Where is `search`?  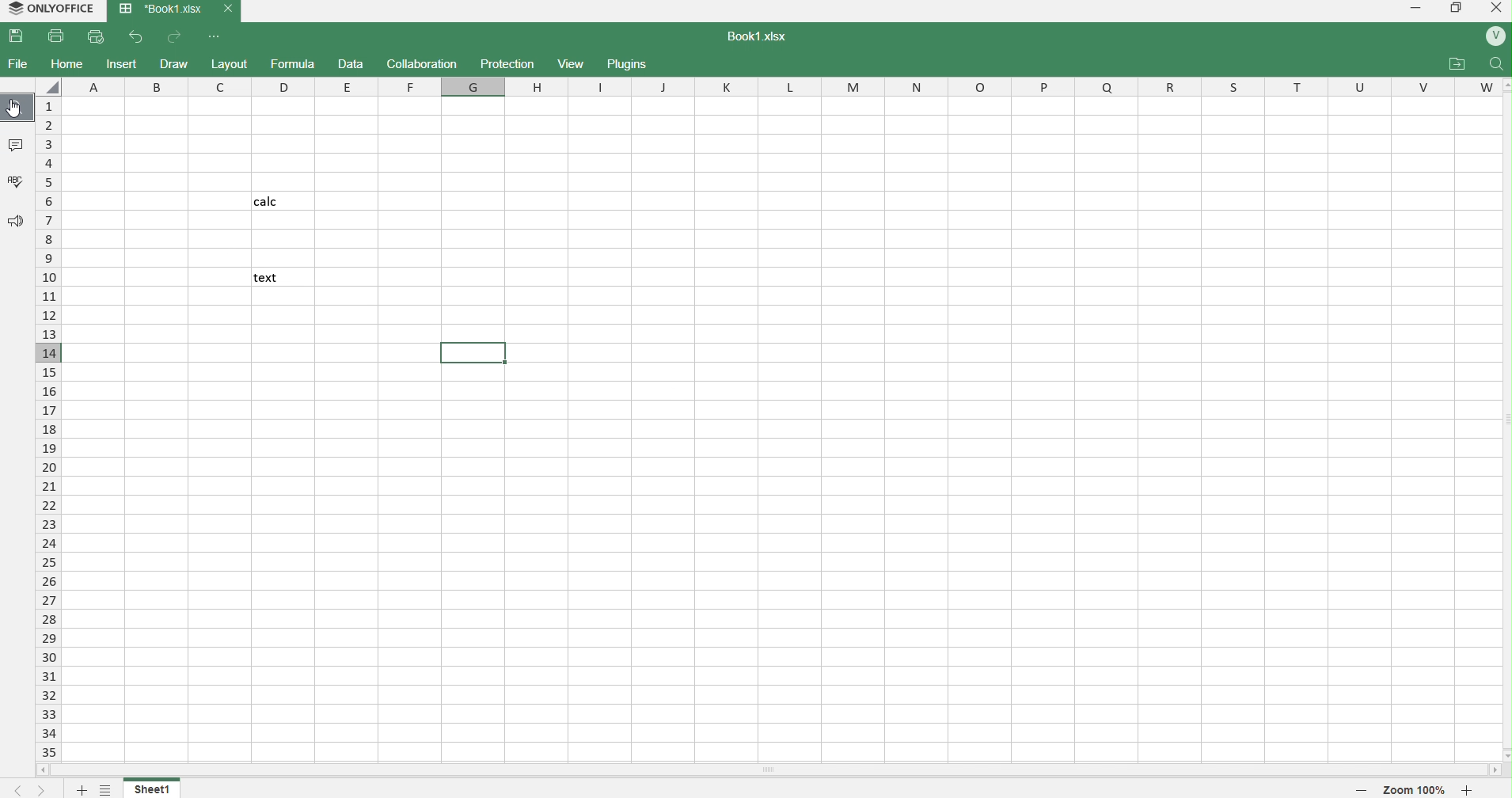 search is located at coordinates (1498, 63).